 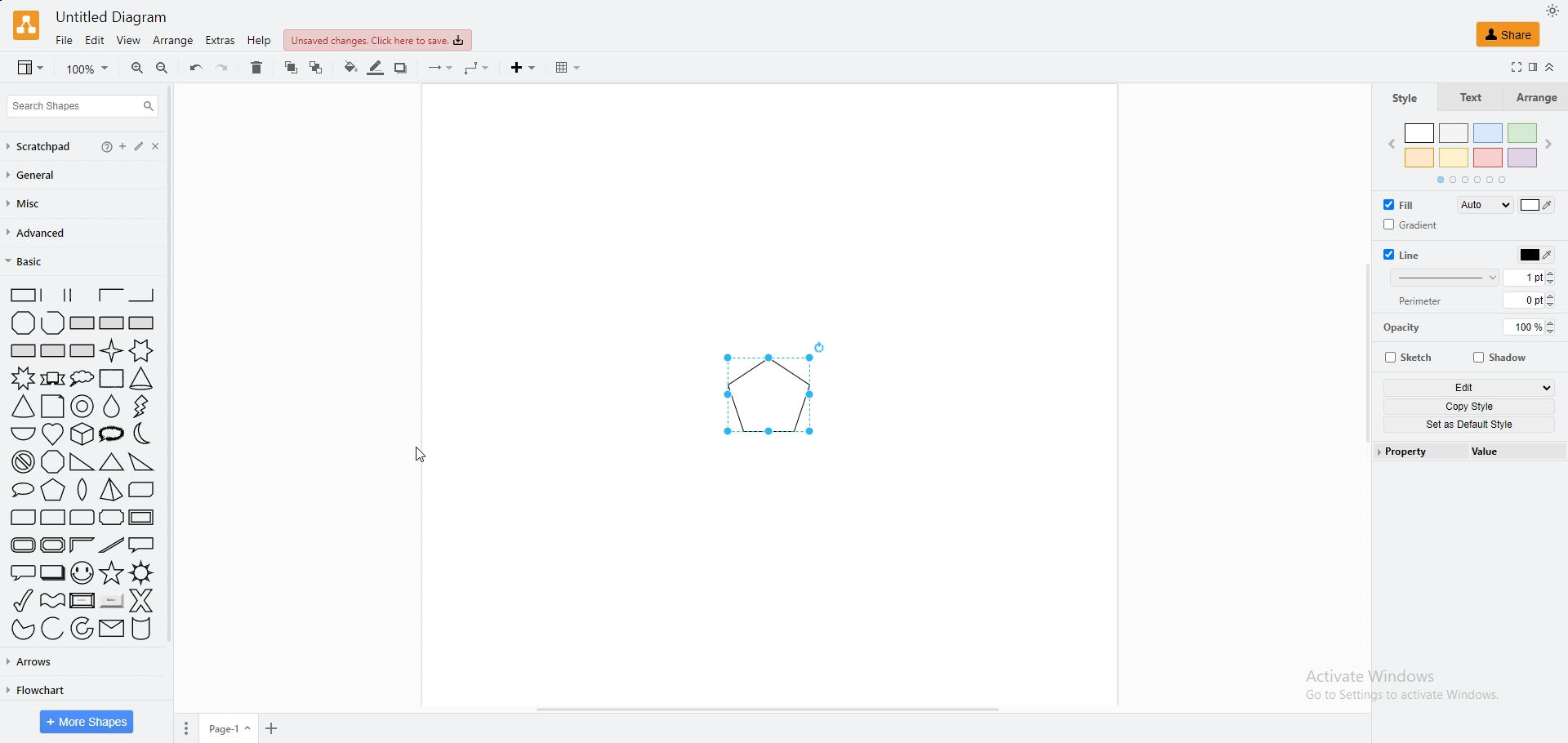 I want to click on violet, so click(x=1523, y=157).